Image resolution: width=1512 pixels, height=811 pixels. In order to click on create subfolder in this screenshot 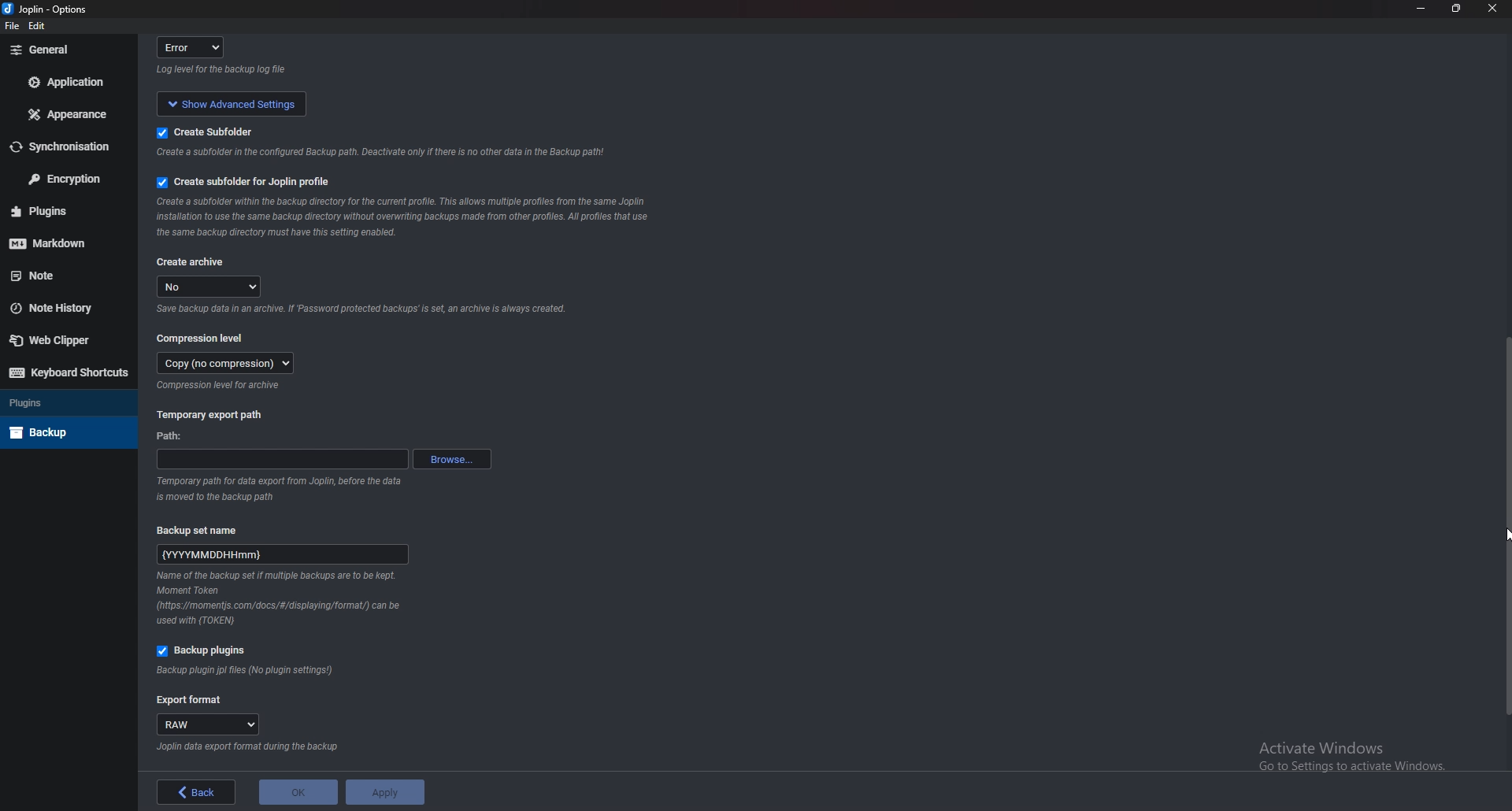, I will do `click(226, 131)`.